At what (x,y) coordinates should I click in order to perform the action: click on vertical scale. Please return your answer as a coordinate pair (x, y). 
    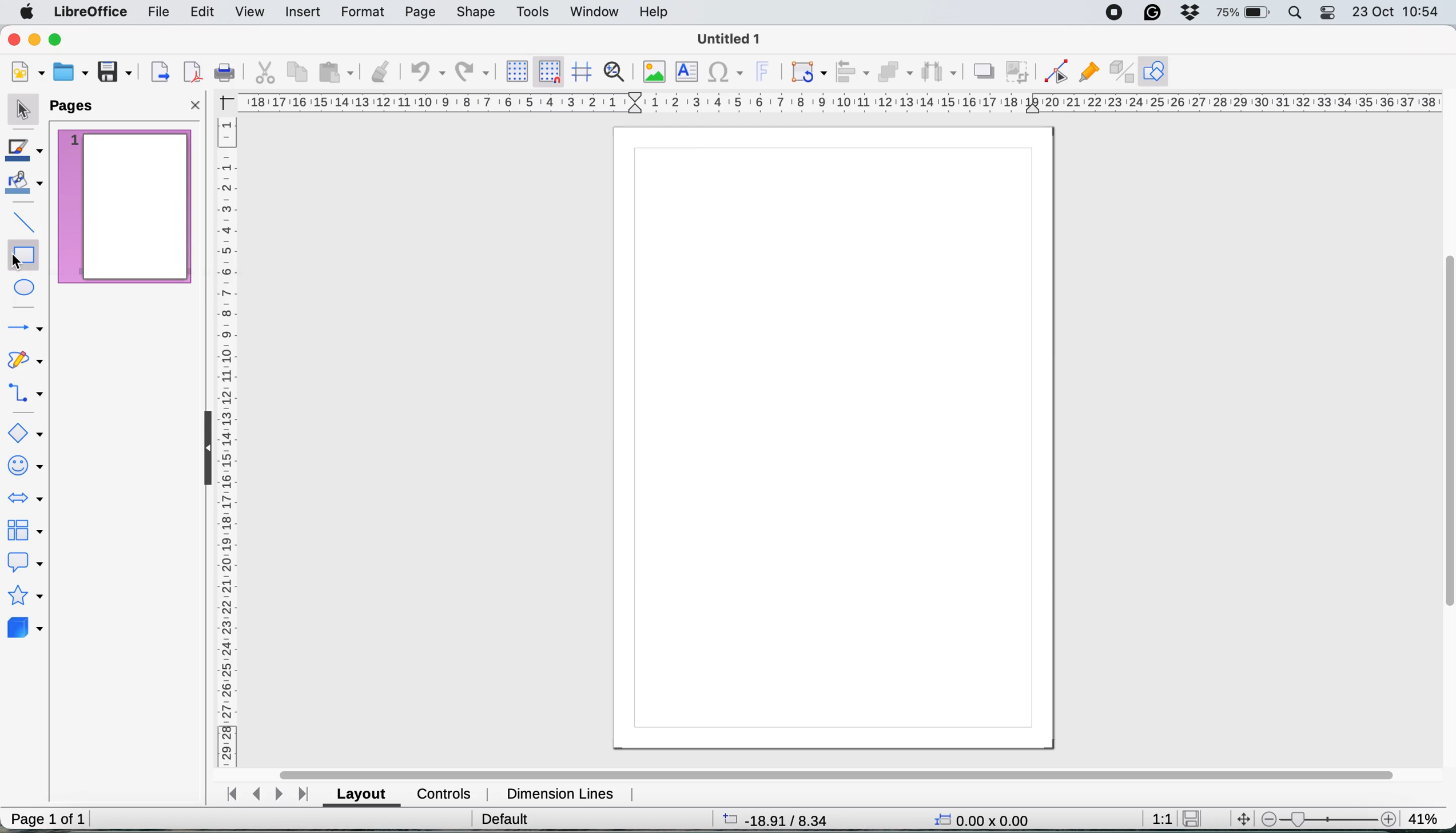
    Looking at the image, I should click on (226, 440).